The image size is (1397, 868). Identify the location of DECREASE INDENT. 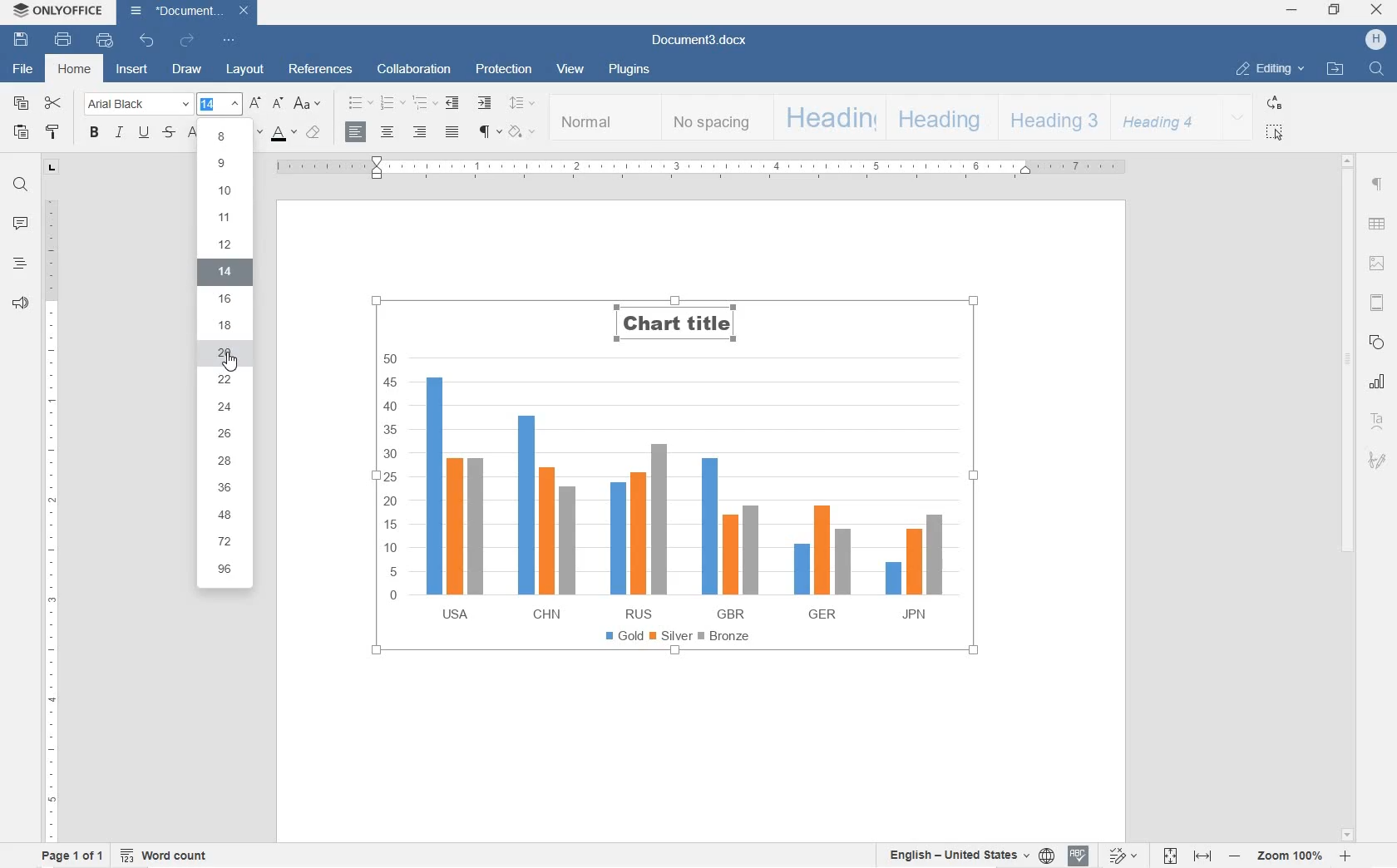
(451, 104).